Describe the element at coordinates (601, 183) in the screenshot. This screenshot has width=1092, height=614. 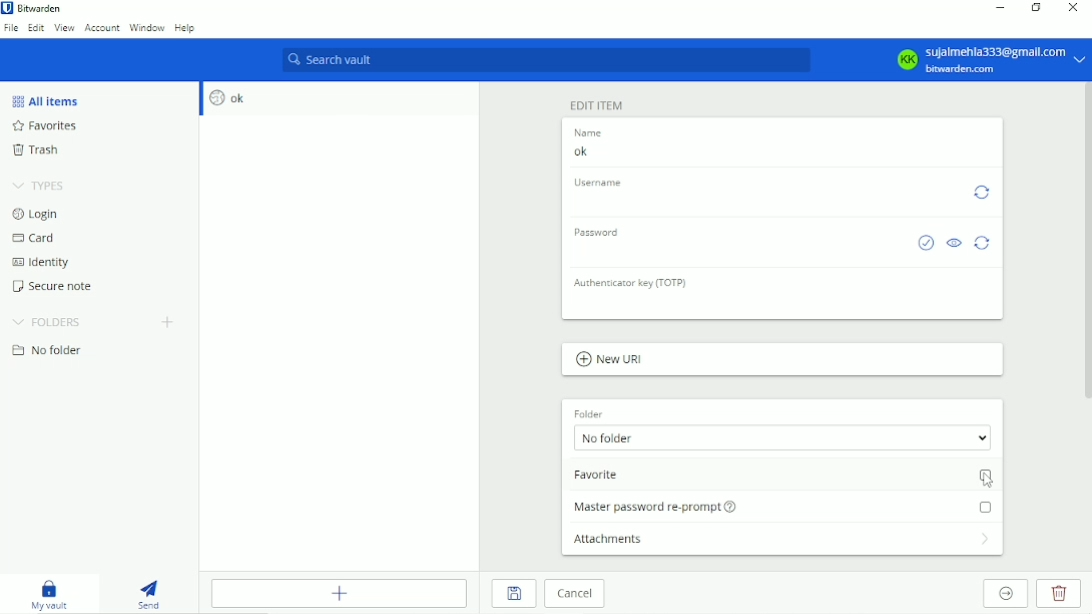
I see `Username` at that location.